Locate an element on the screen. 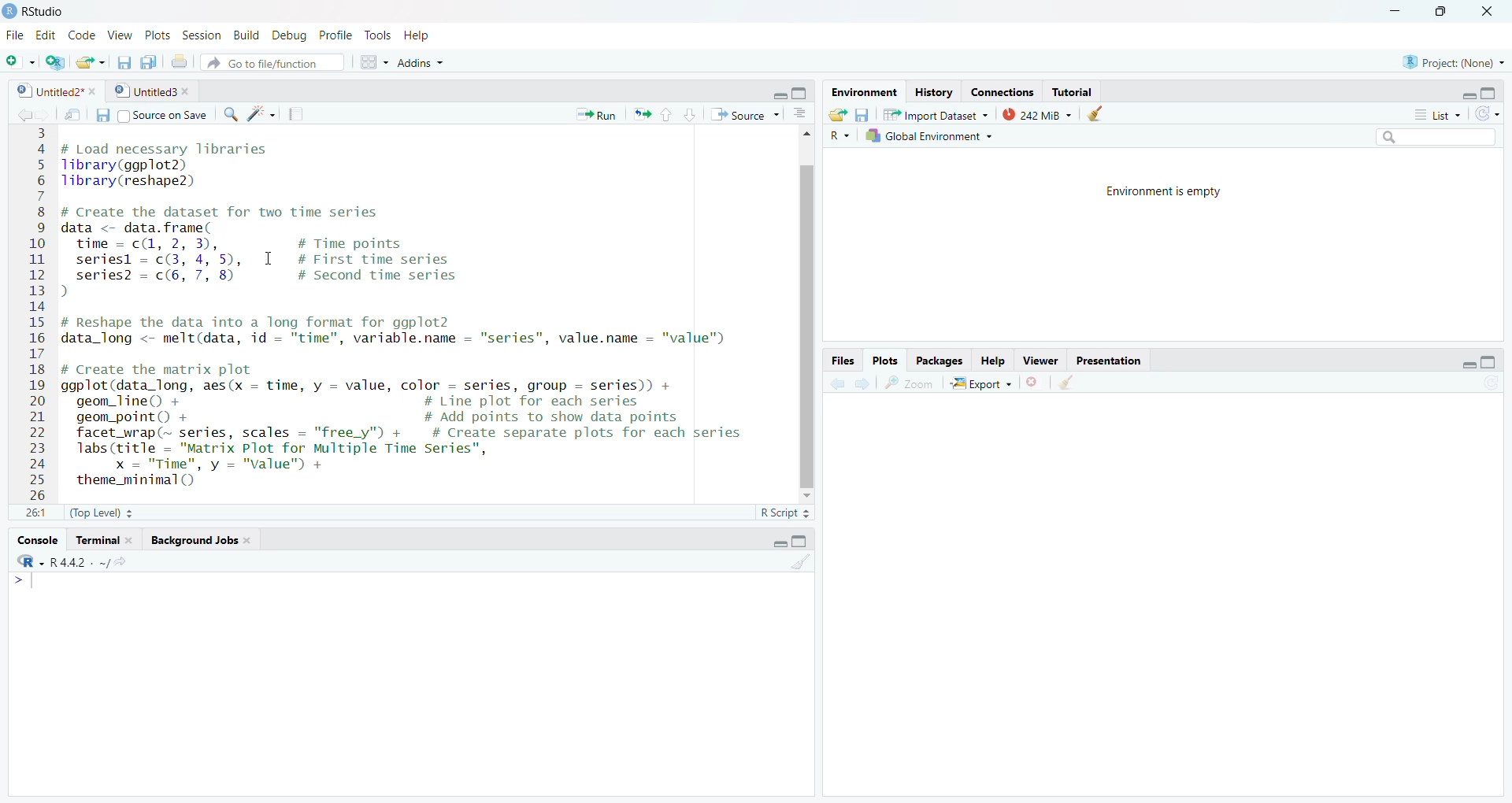  Maximize is located at coordinates (1444, 11).